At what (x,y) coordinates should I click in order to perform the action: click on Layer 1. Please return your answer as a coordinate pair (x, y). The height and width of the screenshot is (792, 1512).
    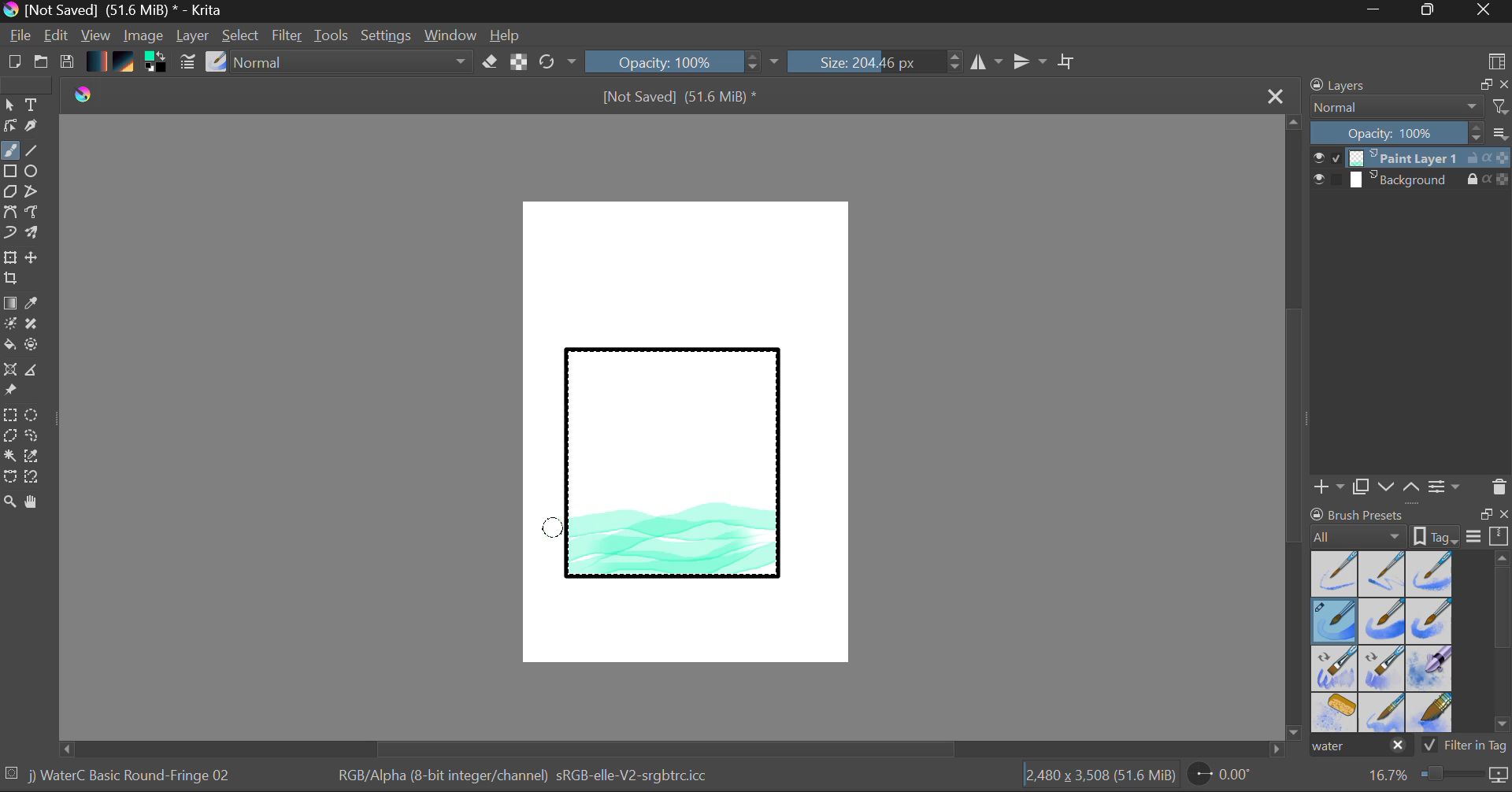
    Looking at the image, I should click on (1412, 160).